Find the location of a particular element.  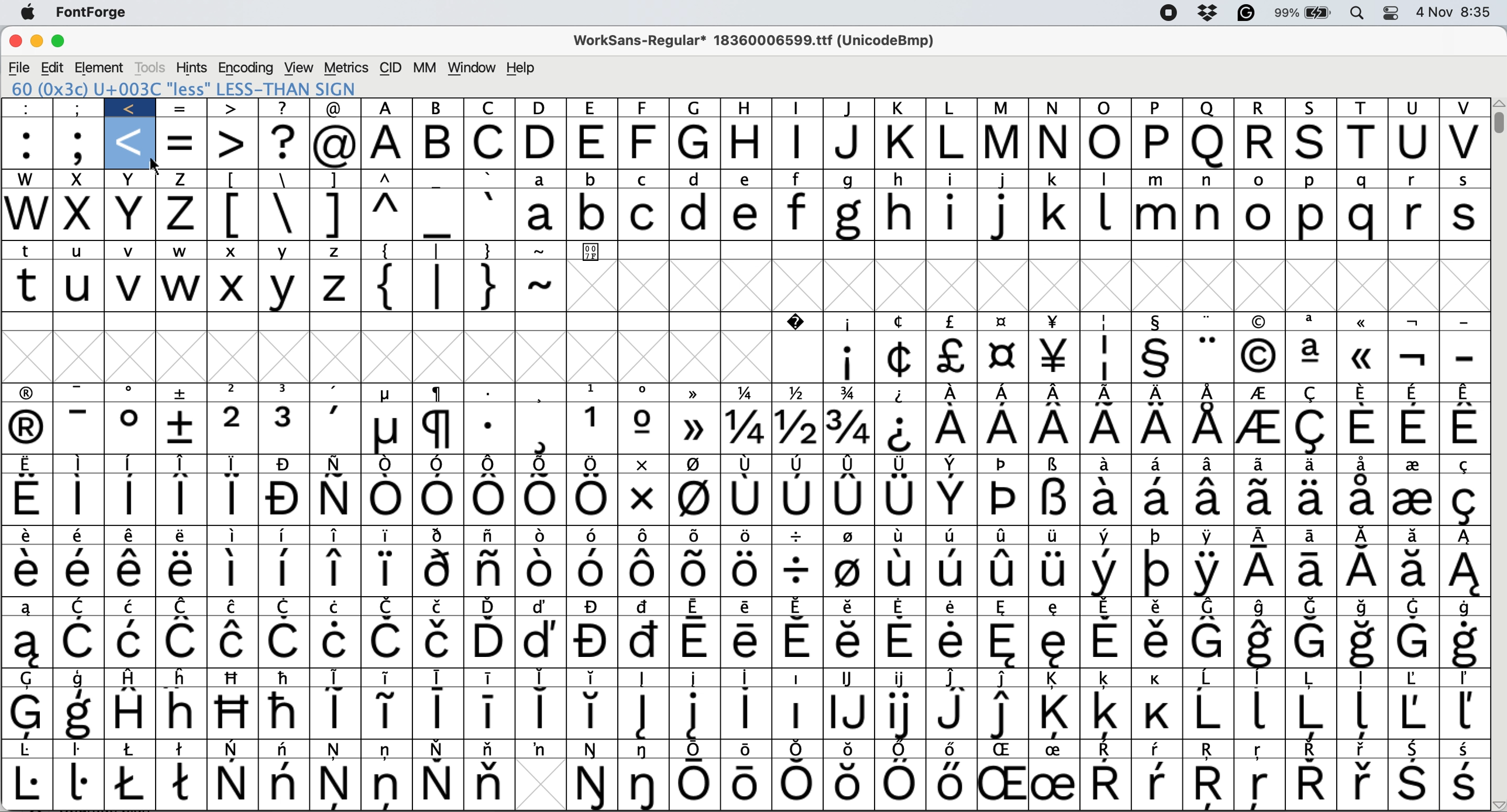

Y is located at coordinates (287, 288).